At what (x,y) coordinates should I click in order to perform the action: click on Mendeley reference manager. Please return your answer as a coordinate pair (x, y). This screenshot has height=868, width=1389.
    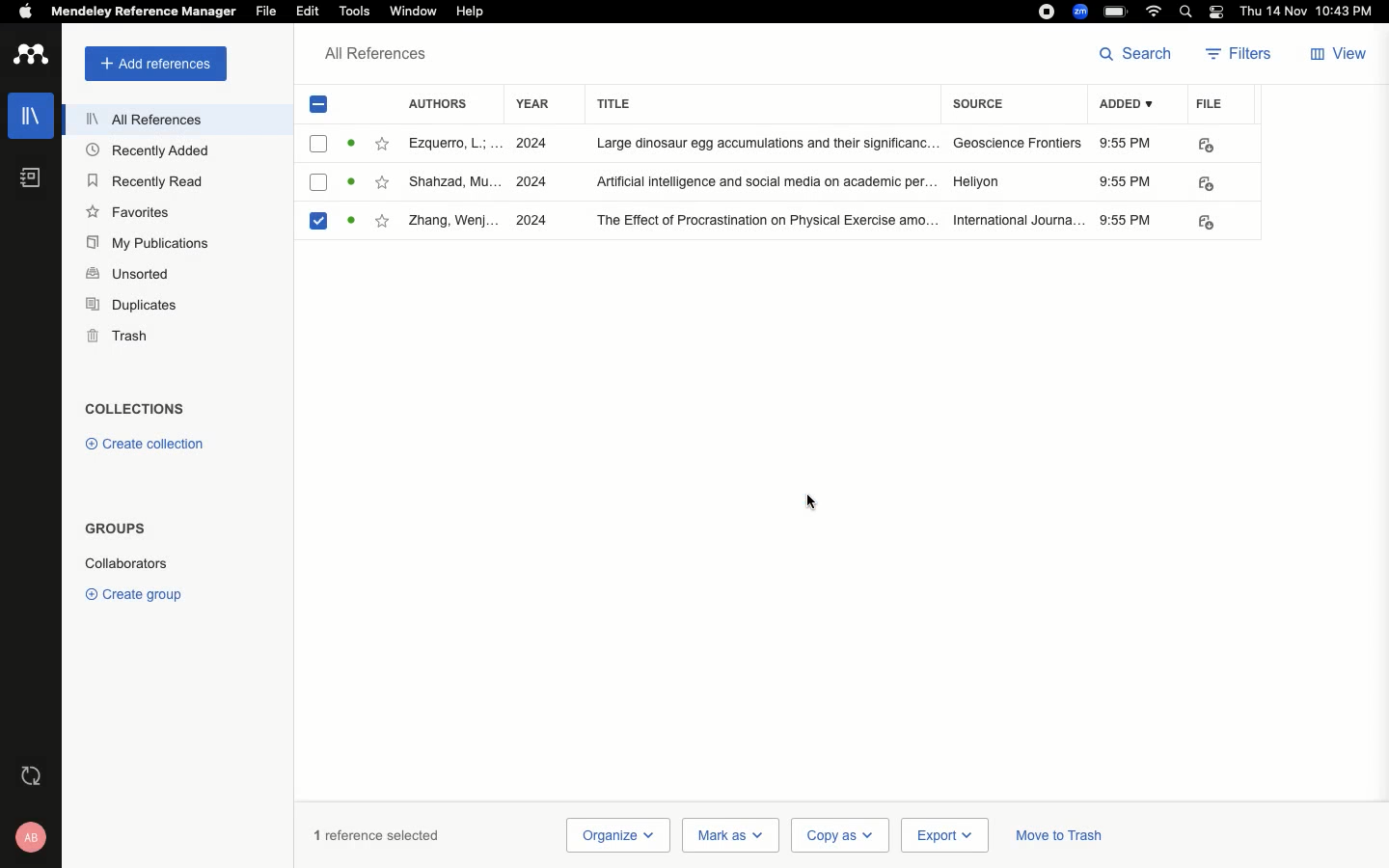
    Looking at the image, I should click on (141, 12).